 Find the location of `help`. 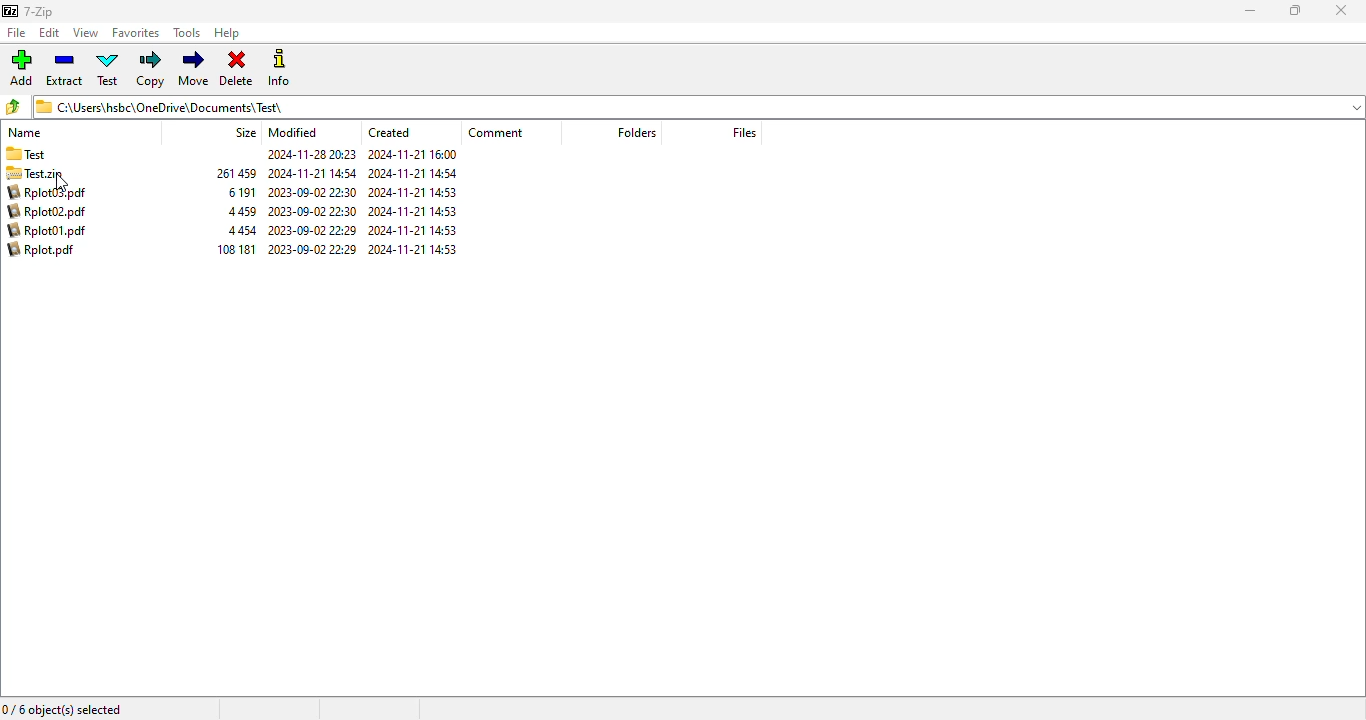

help is located at coordinates (228, 33).